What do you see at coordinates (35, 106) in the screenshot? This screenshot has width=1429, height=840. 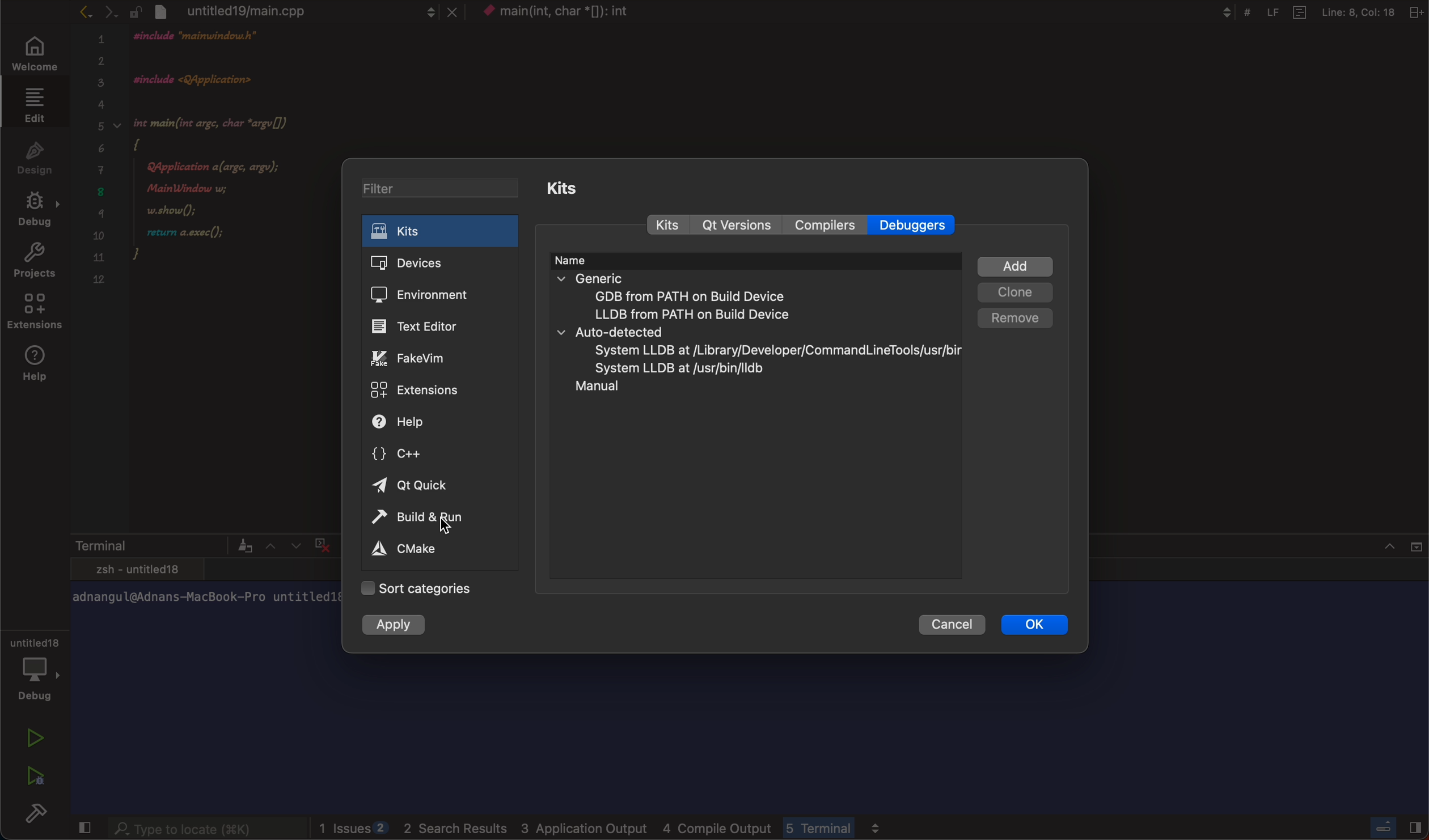 I see `edit` at bounding box center [35, 106].